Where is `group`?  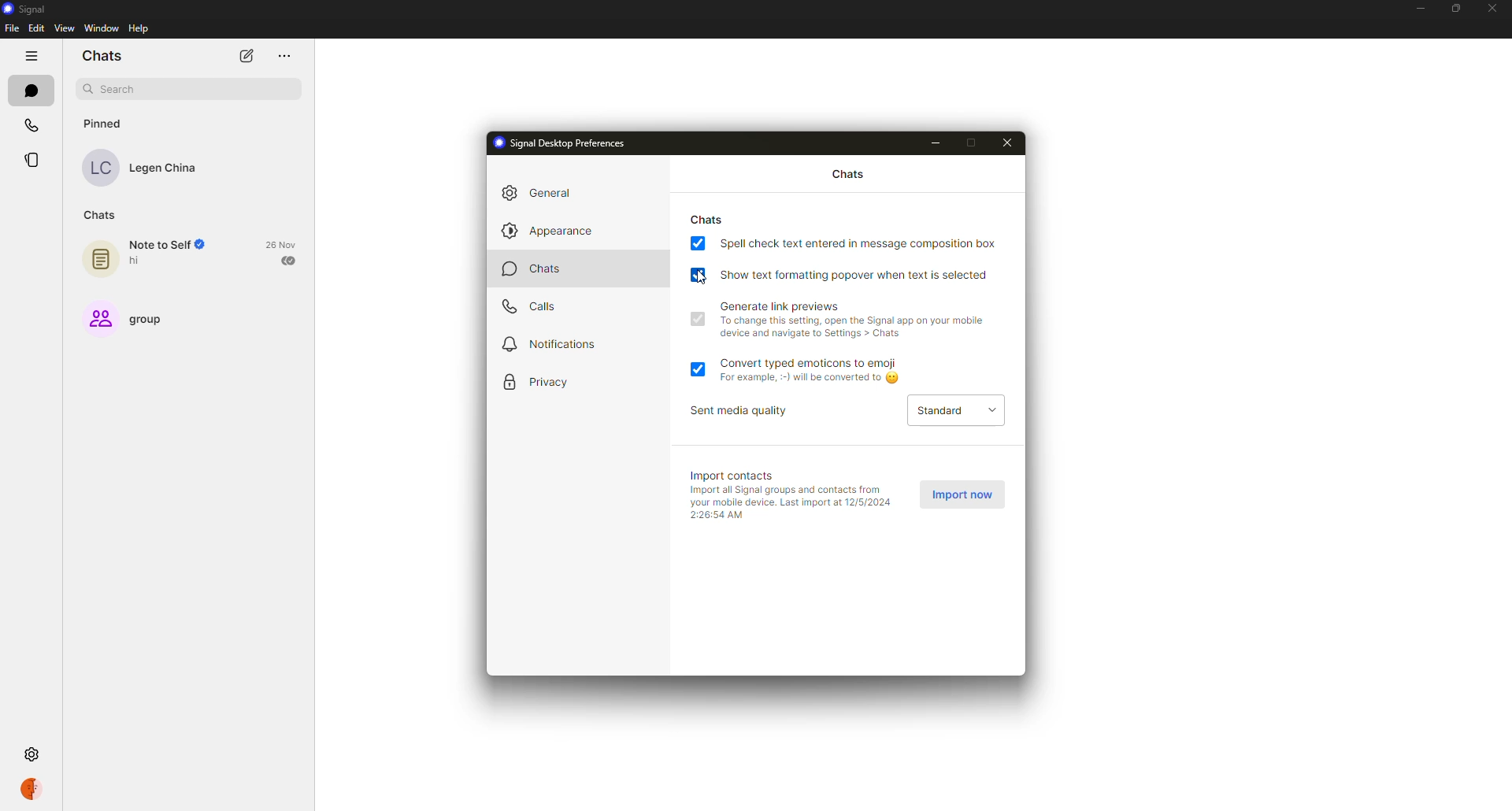
group is located at coordinates (132, 317).